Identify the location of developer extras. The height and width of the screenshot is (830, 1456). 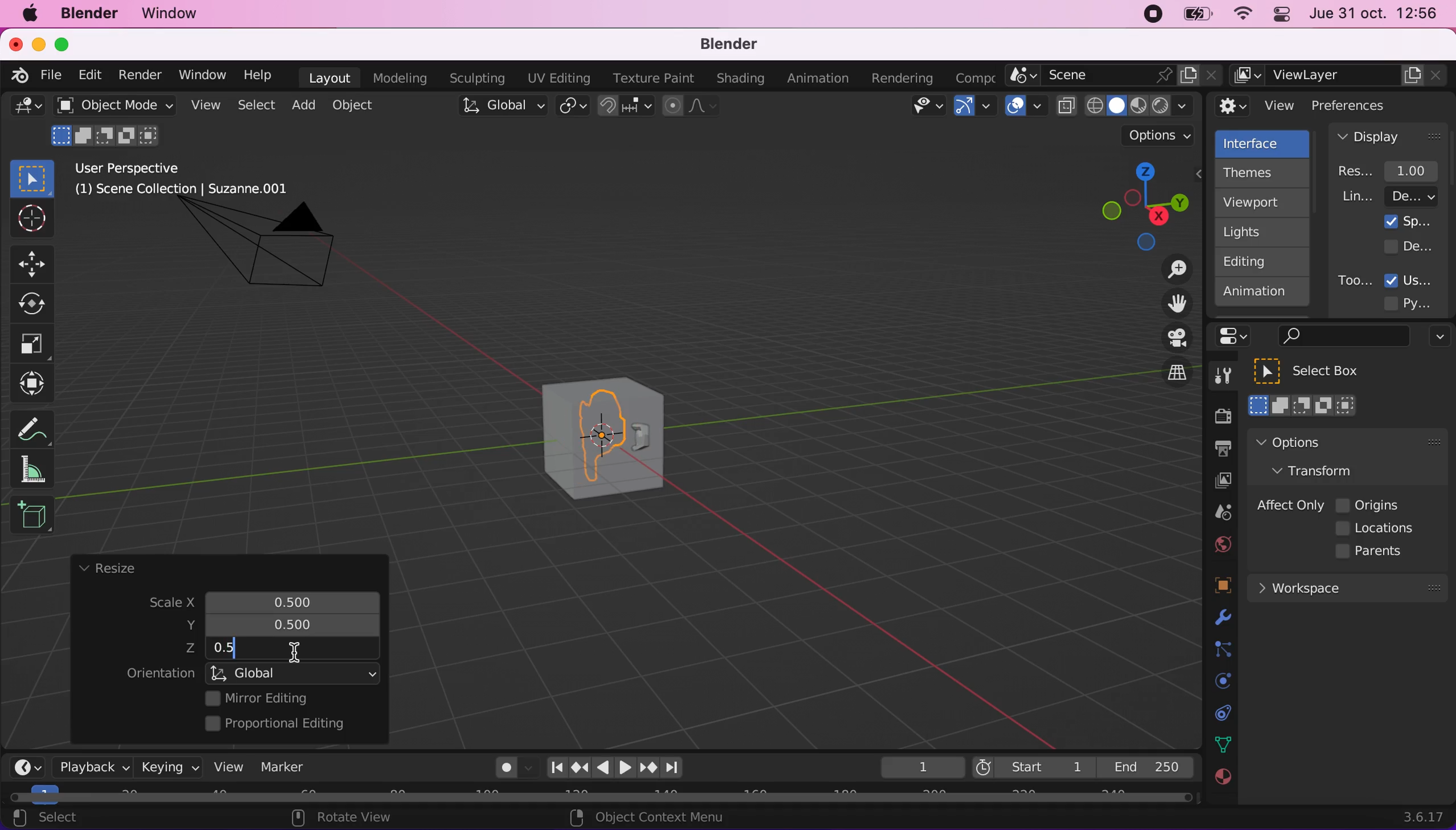
(1410, 246).